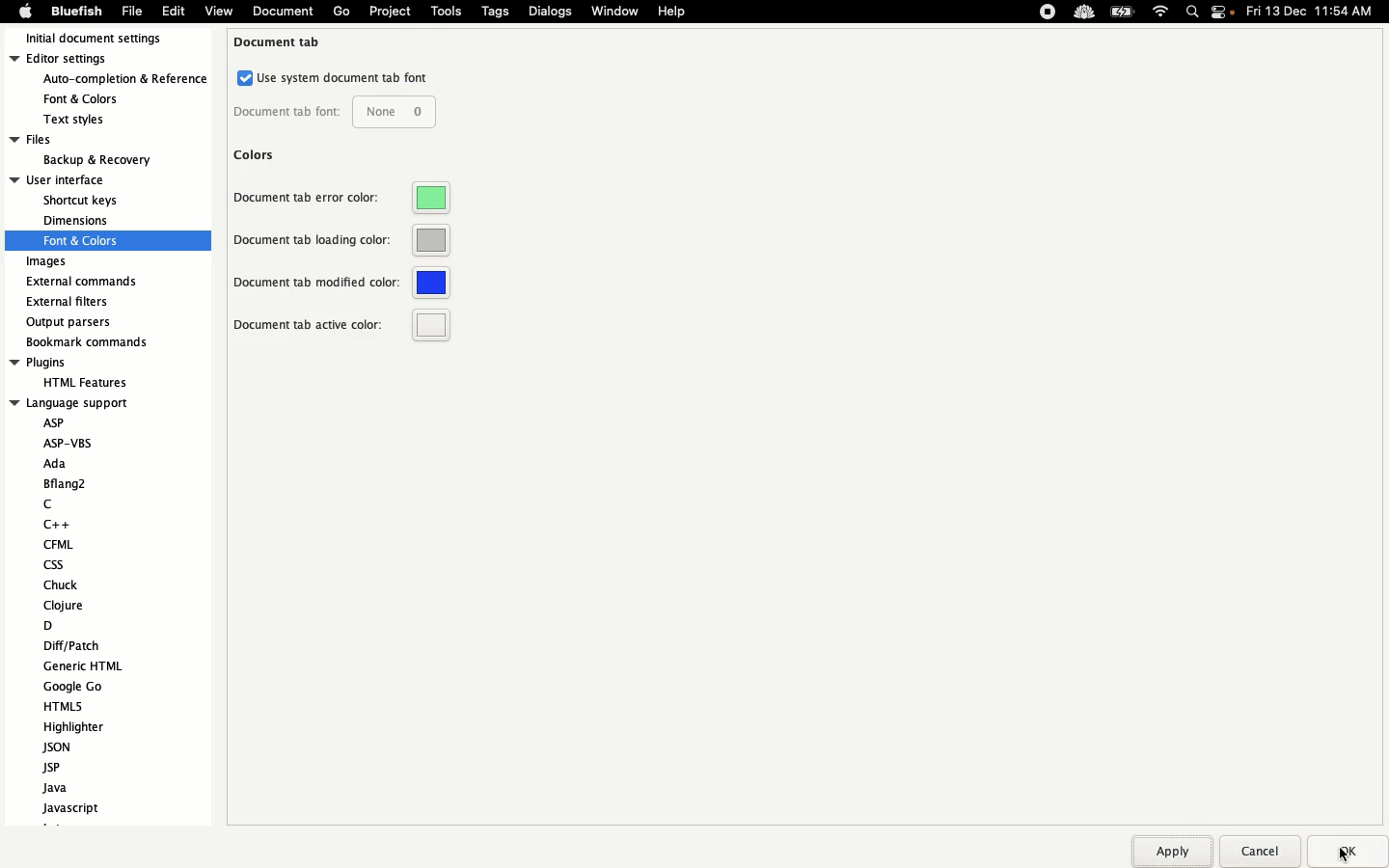 Image resolution: width=1389 pixels, height=868 pixels. What do you see at coordinates (102, 40) in the screenshot?
I see `Initial document settings` at bounding box center [102, 40].